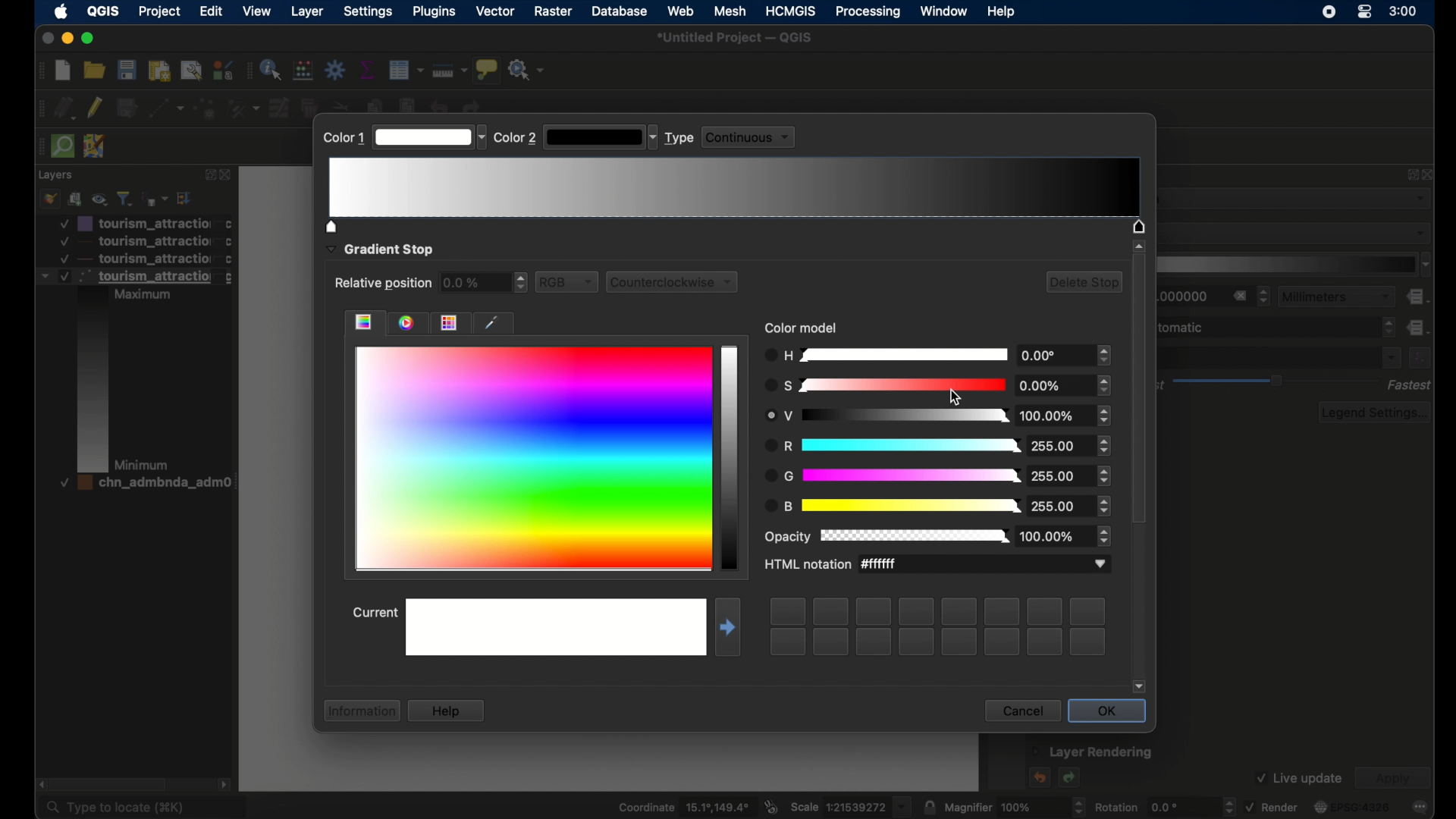 Image resolution: width=1456 pixels, height=819 pixels. I want to click on coordinate, so click(679, 806).